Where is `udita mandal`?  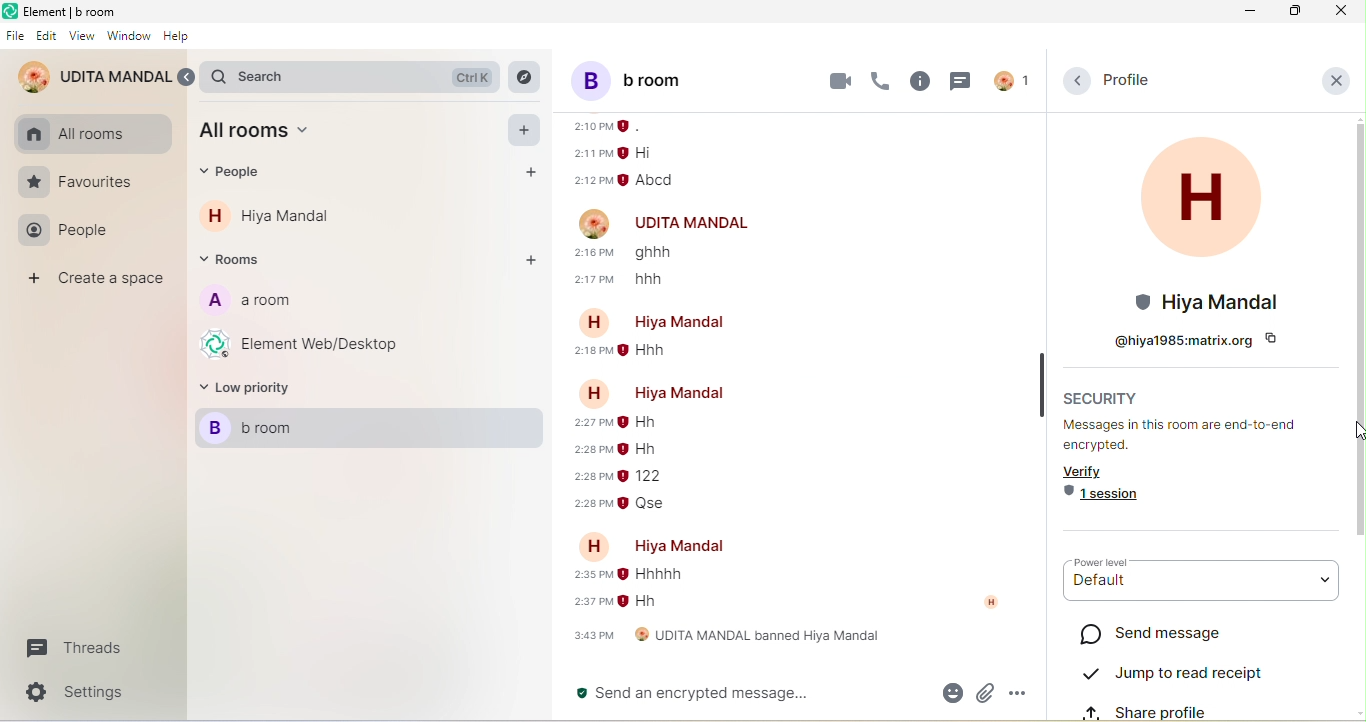
udita mandal is located at coordinates (94, 78).